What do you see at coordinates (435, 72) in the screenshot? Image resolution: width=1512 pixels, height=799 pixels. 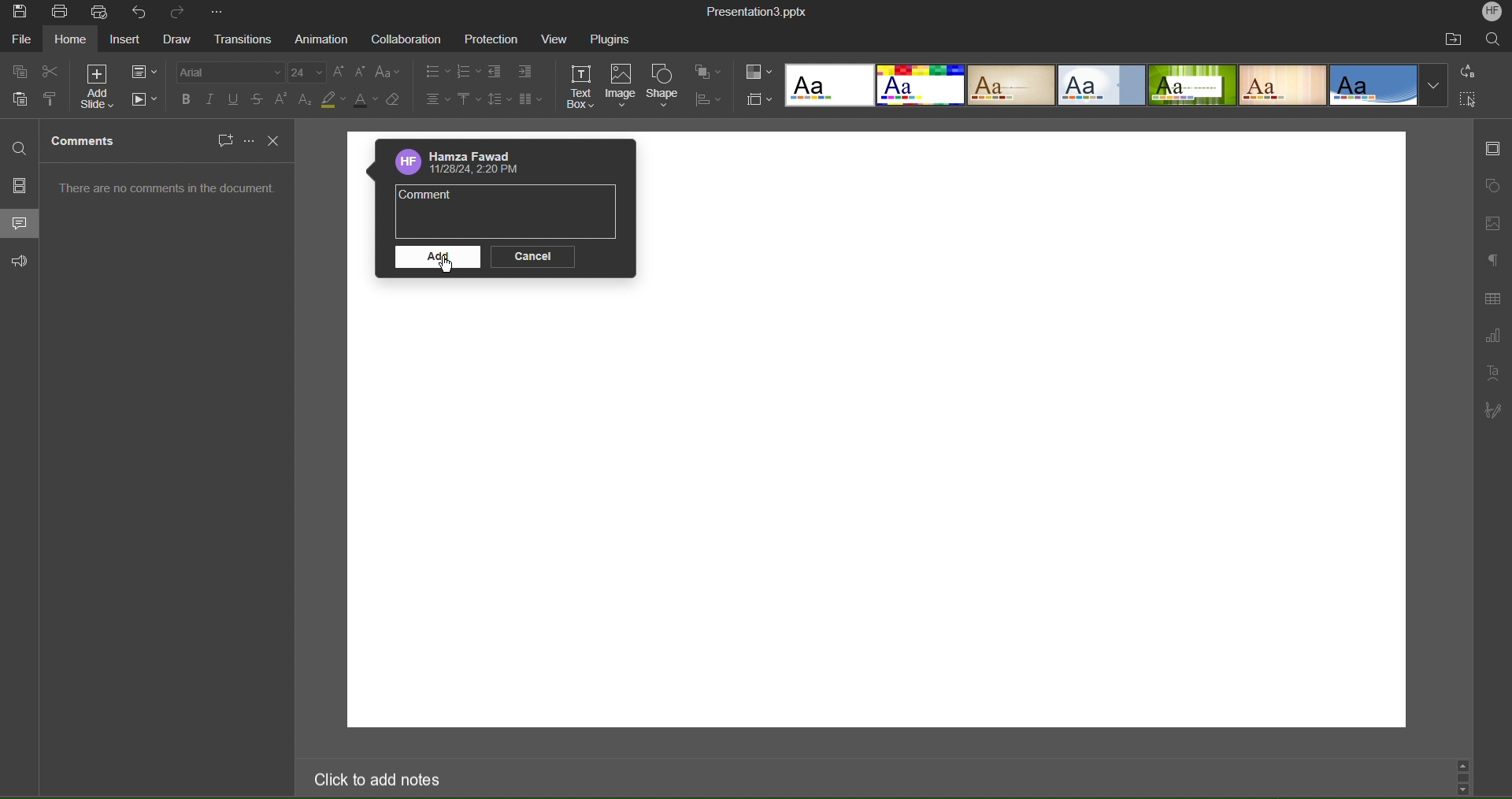 I see `List Options` at bounding box center [435, 72].